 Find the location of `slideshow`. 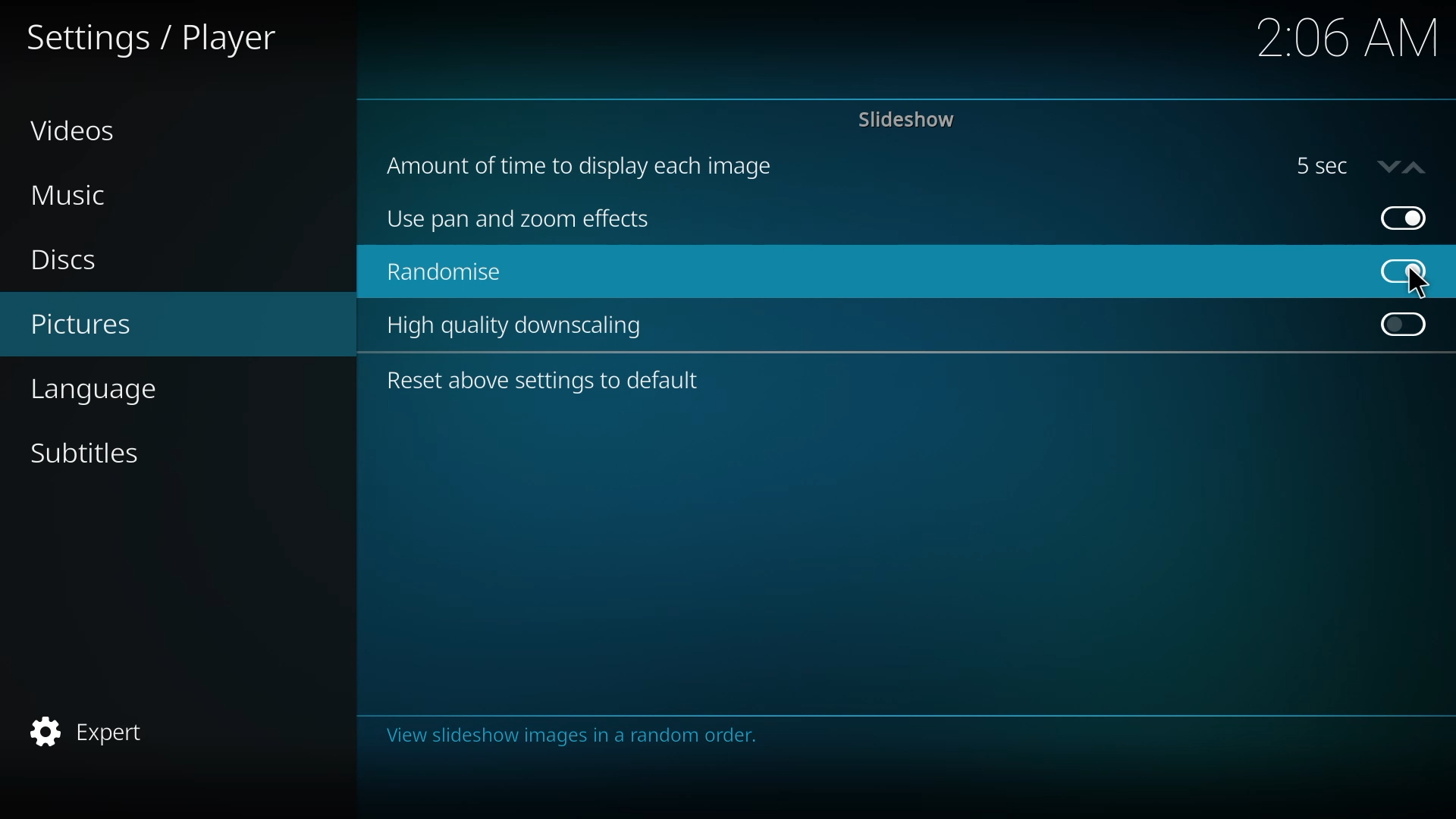

slideshow is located at coordinates (907, 119).